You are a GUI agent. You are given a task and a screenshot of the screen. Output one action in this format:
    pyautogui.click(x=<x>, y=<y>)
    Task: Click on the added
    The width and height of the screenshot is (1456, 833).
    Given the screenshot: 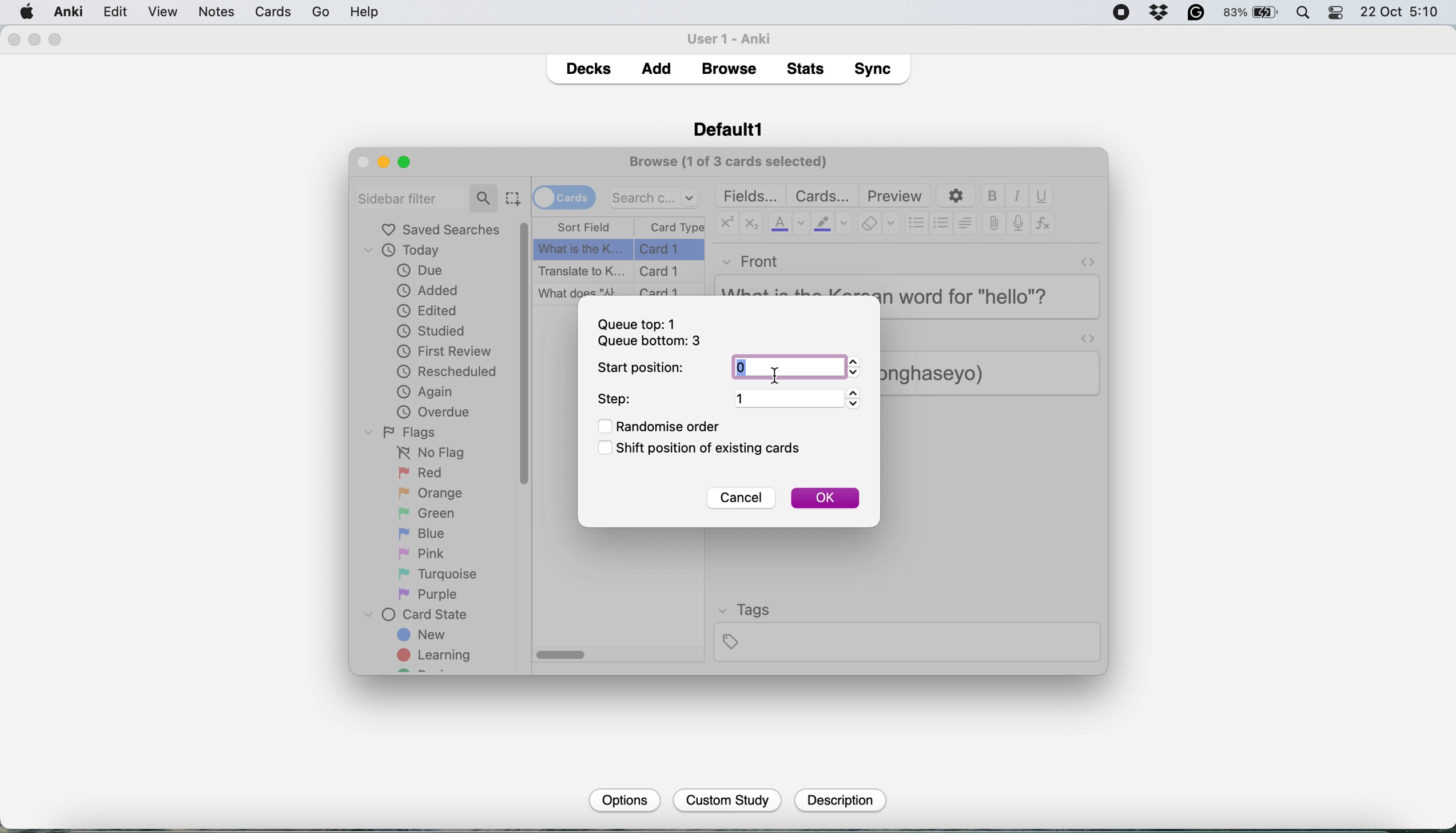 What is the action you would take?
    pyautogui.click(x=429, y=289)
    